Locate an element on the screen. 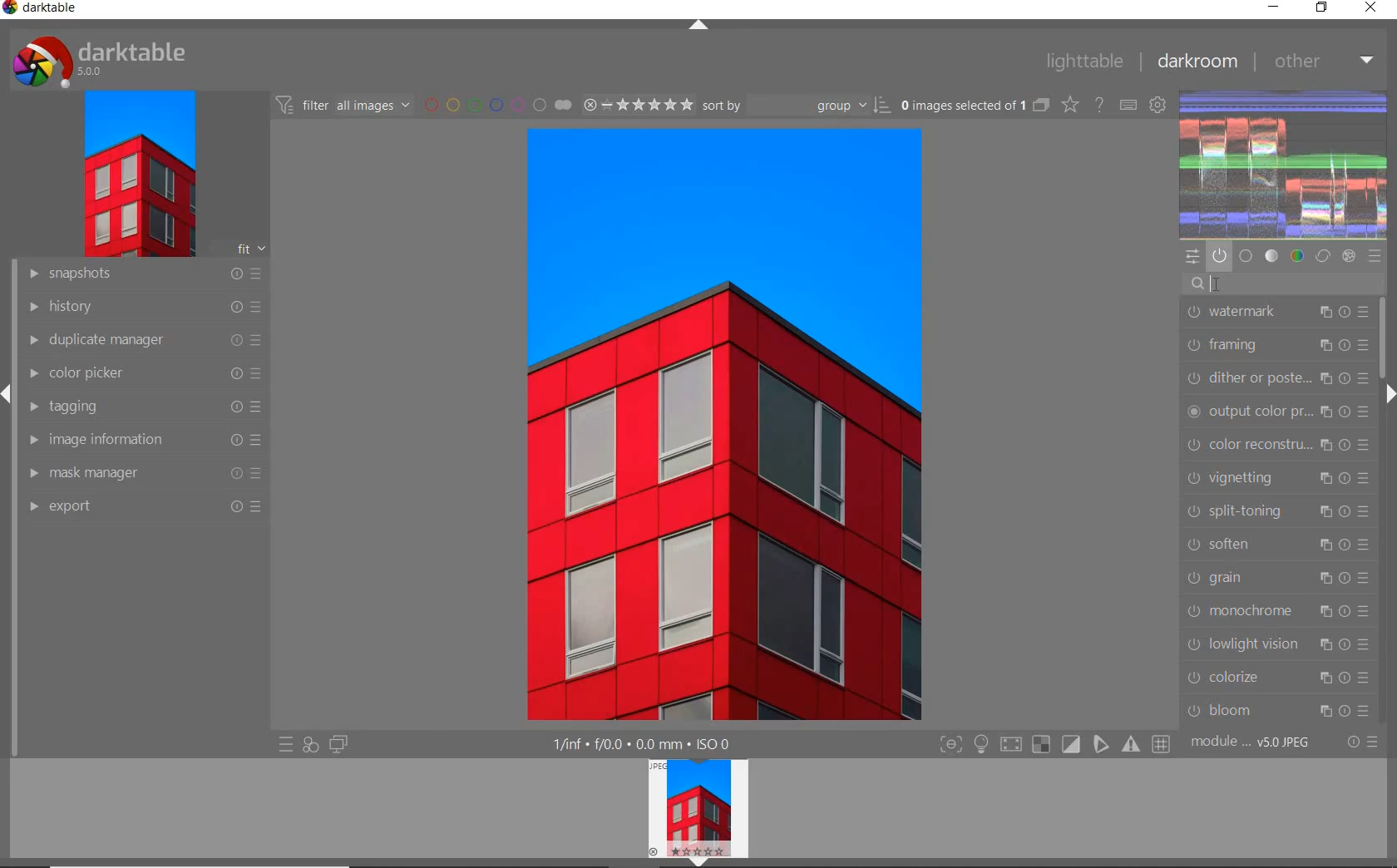 The width and height of the screenshot is (1397, 868). system logo & name is located at coordinates (102, 62).